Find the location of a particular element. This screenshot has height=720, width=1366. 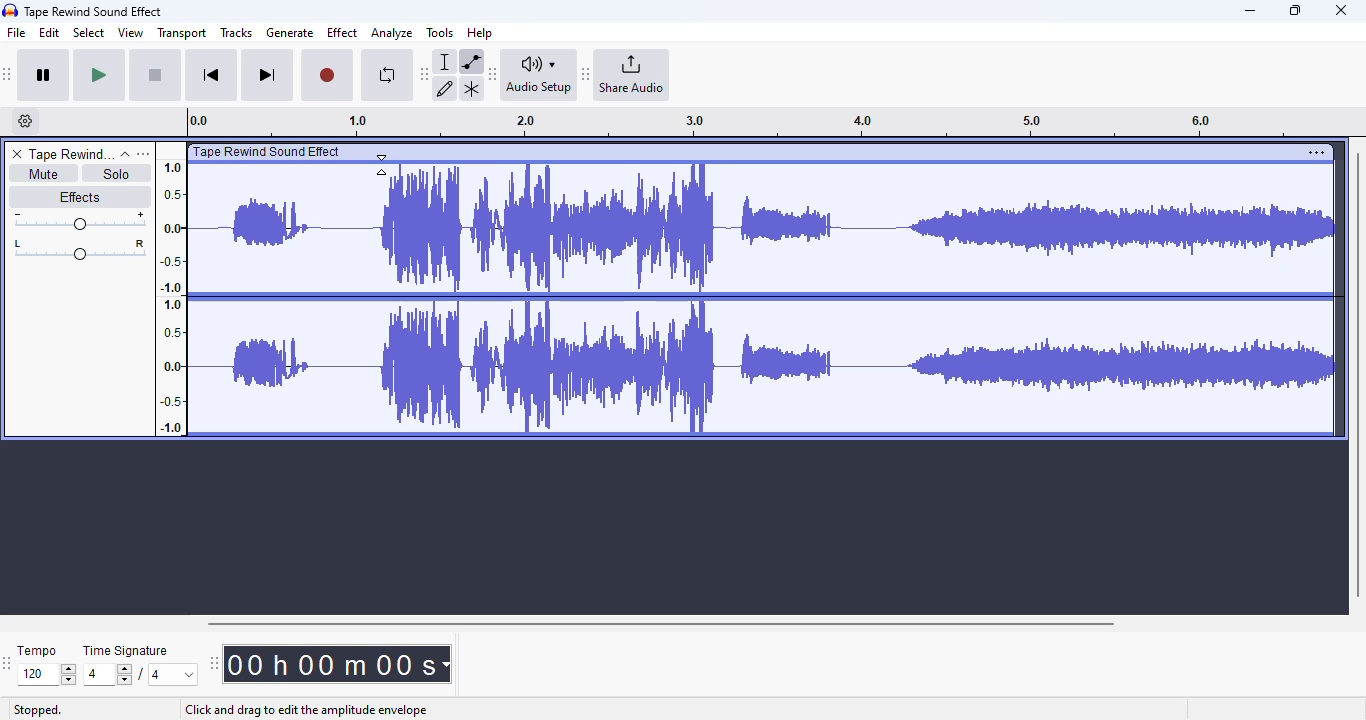

record is located at coordinates (327, 76).